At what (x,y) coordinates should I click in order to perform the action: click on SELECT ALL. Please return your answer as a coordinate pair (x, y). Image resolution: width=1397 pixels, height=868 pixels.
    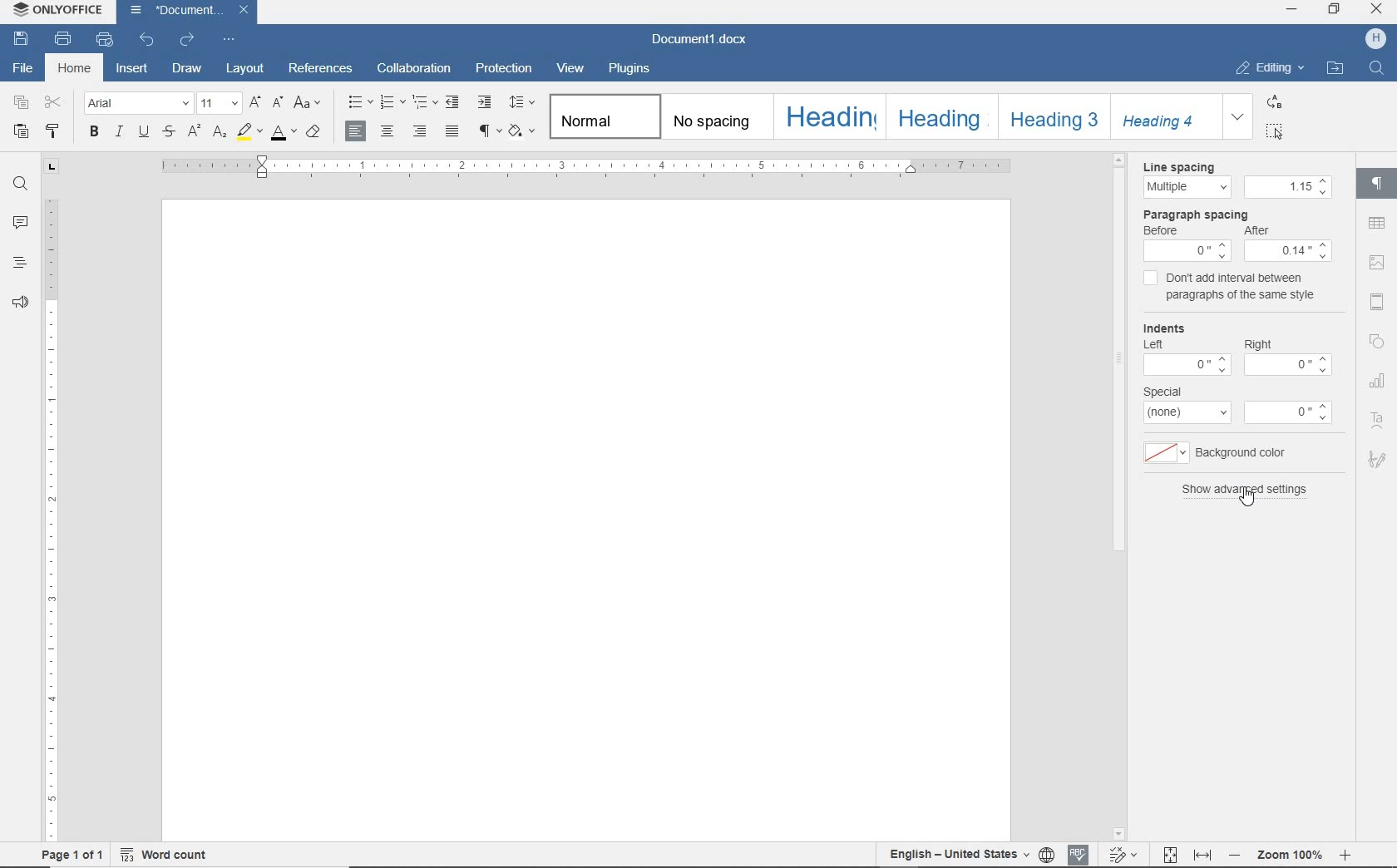
    Looking at the image, I should click on (1275, 131).